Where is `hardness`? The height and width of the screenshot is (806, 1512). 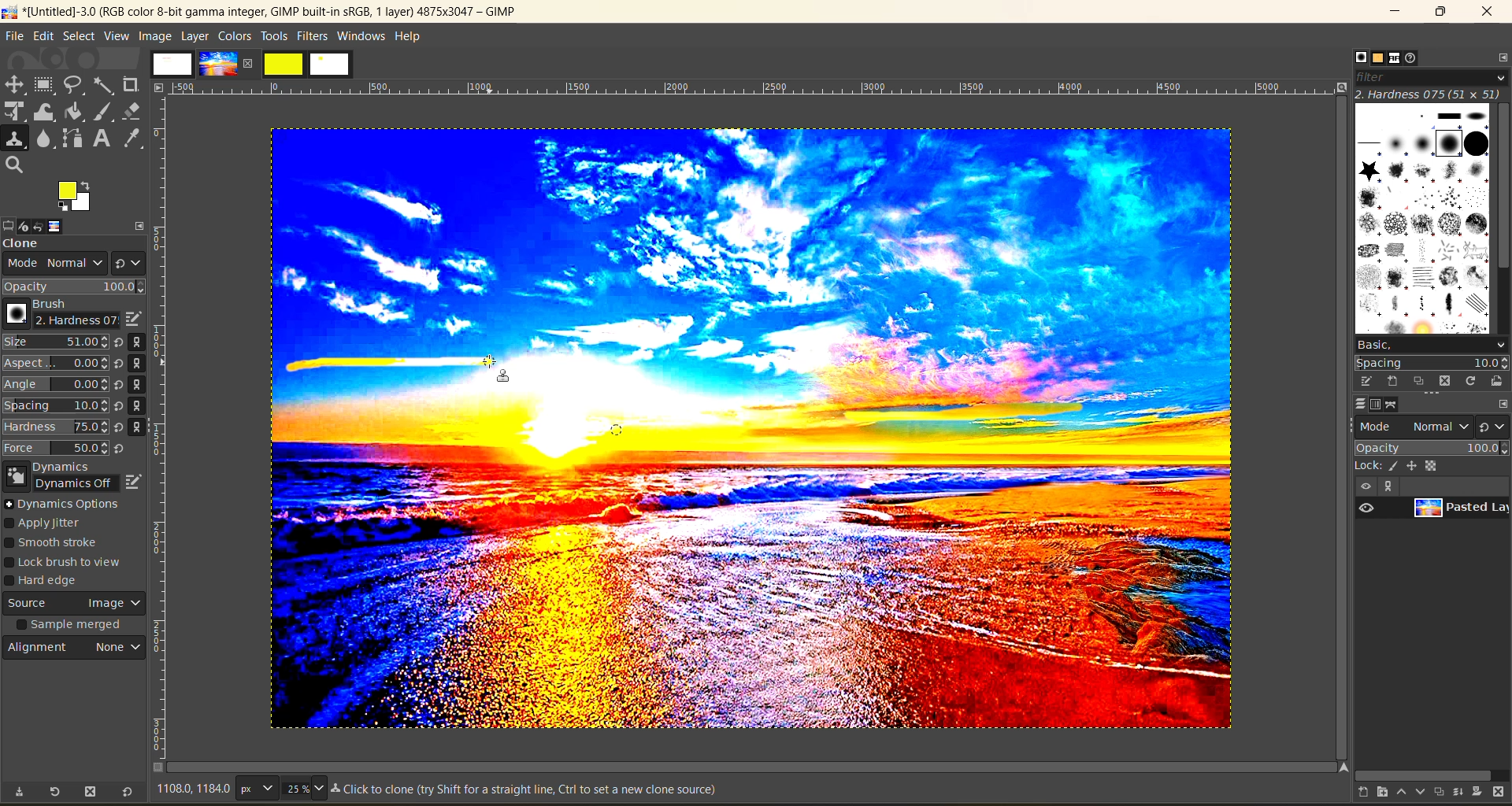 hardness is located at coordinates (1429, 94).